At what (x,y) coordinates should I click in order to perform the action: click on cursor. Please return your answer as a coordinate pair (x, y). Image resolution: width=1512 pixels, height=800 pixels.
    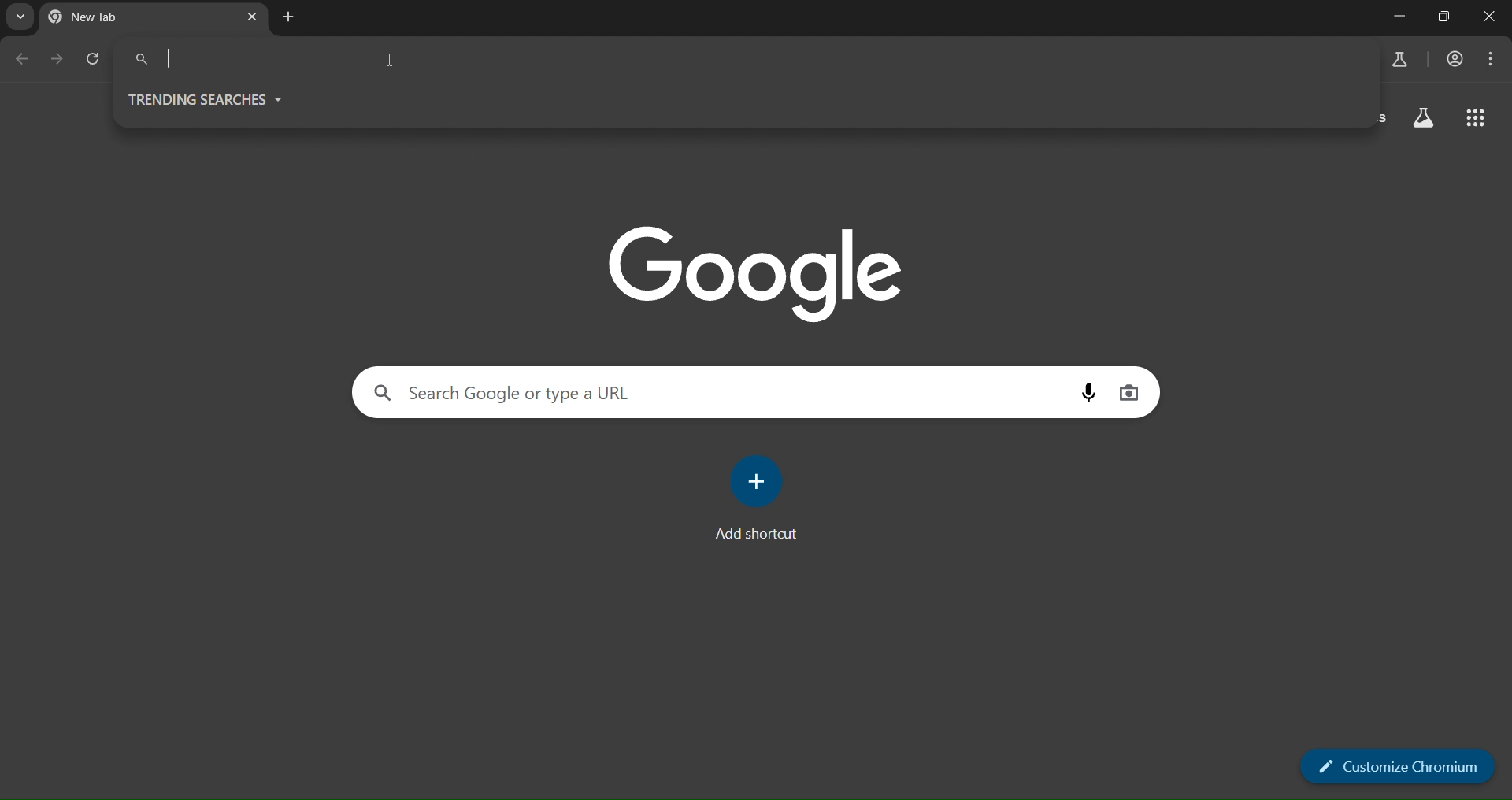
    Looking at the image, I should click on (391, 59).